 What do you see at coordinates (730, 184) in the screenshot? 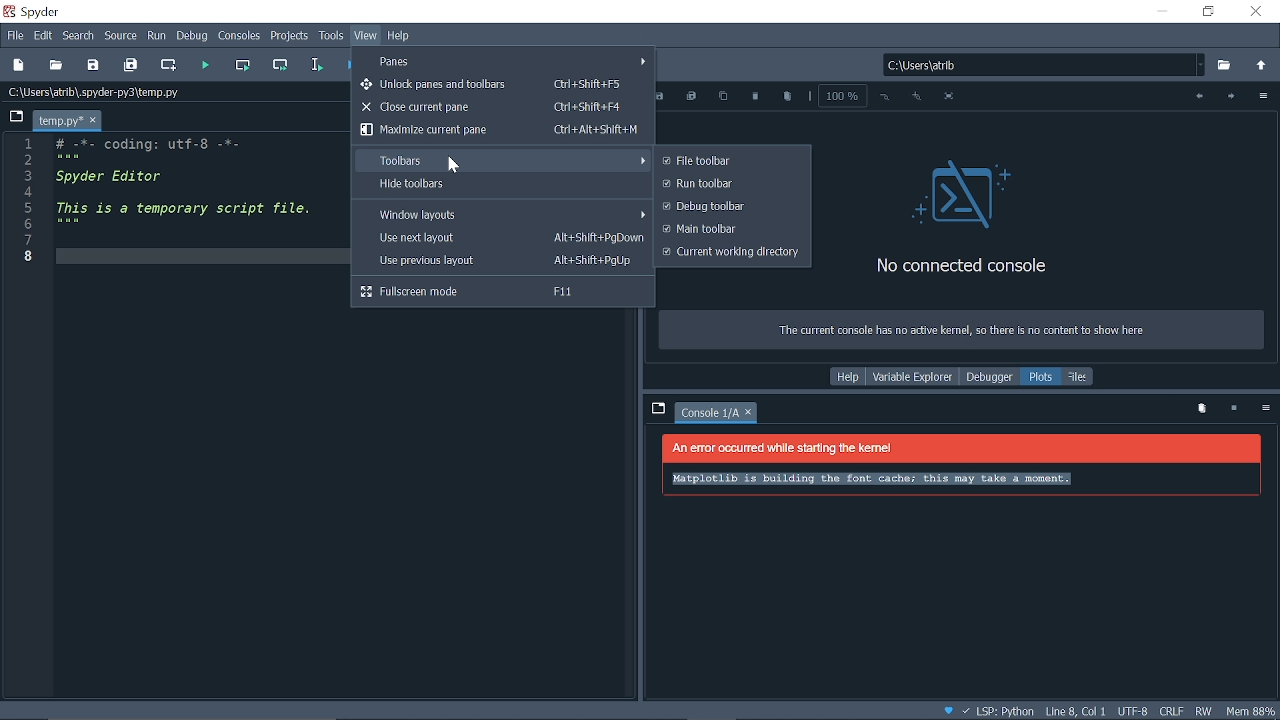
I see `Run toolbar` at bounding box center [730, 184].